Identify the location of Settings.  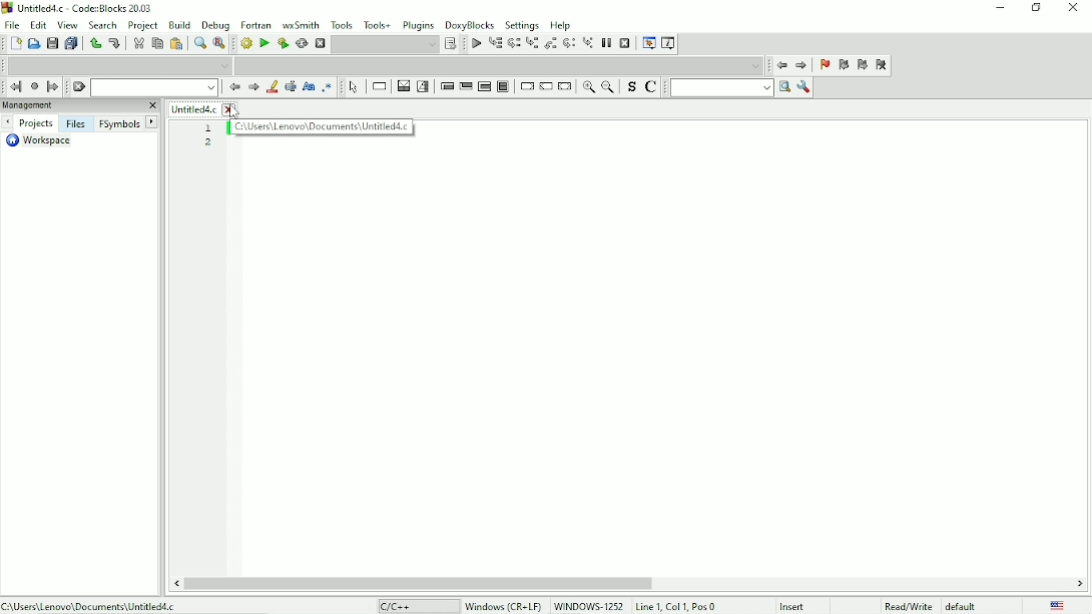
(522, 25).